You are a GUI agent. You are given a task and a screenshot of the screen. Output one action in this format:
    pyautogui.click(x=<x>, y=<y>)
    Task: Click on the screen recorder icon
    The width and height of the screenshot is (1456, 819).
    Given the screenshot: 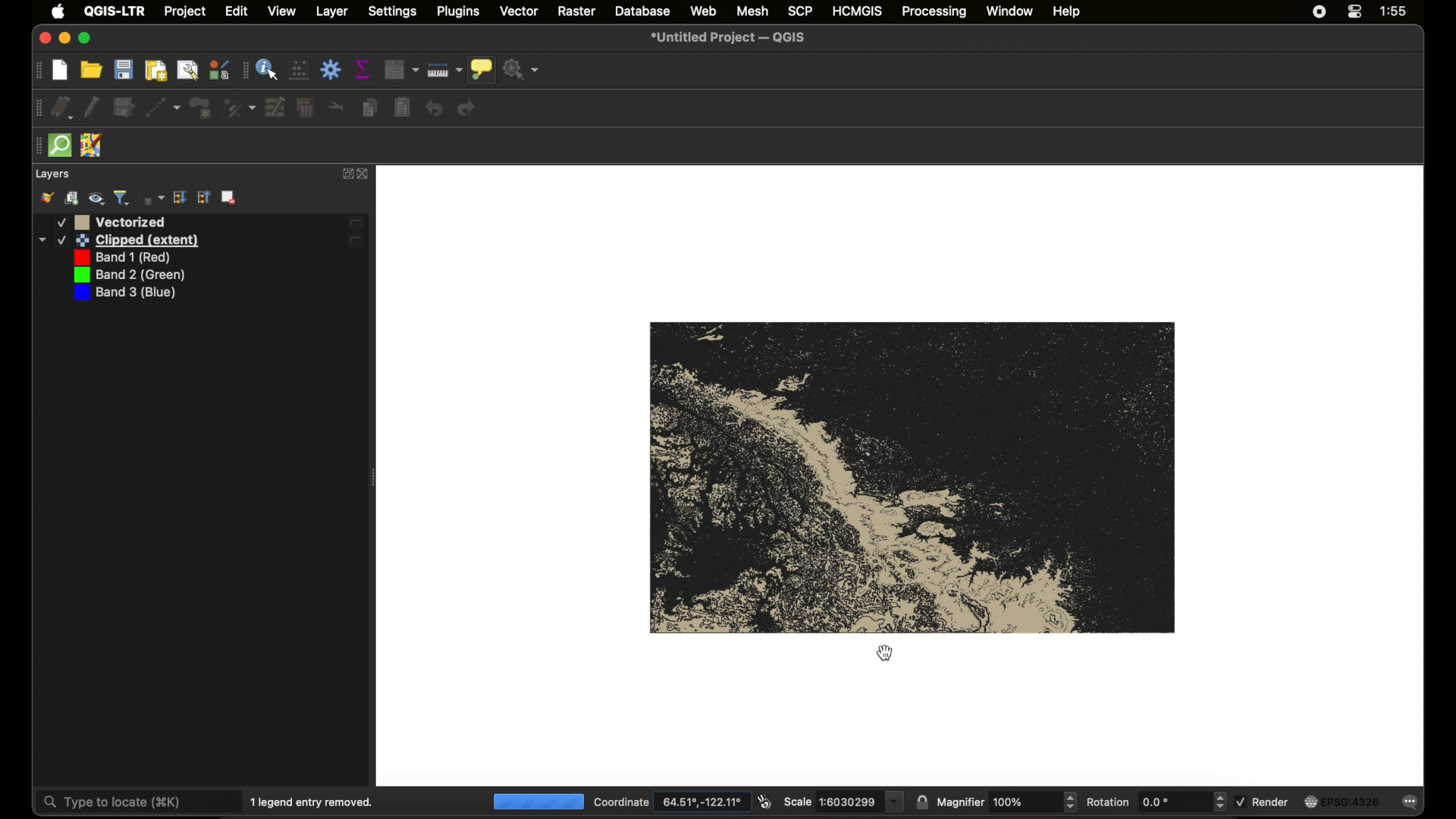 What is the action you would take?
    pyautogui.click(x=1319, y=12)
    